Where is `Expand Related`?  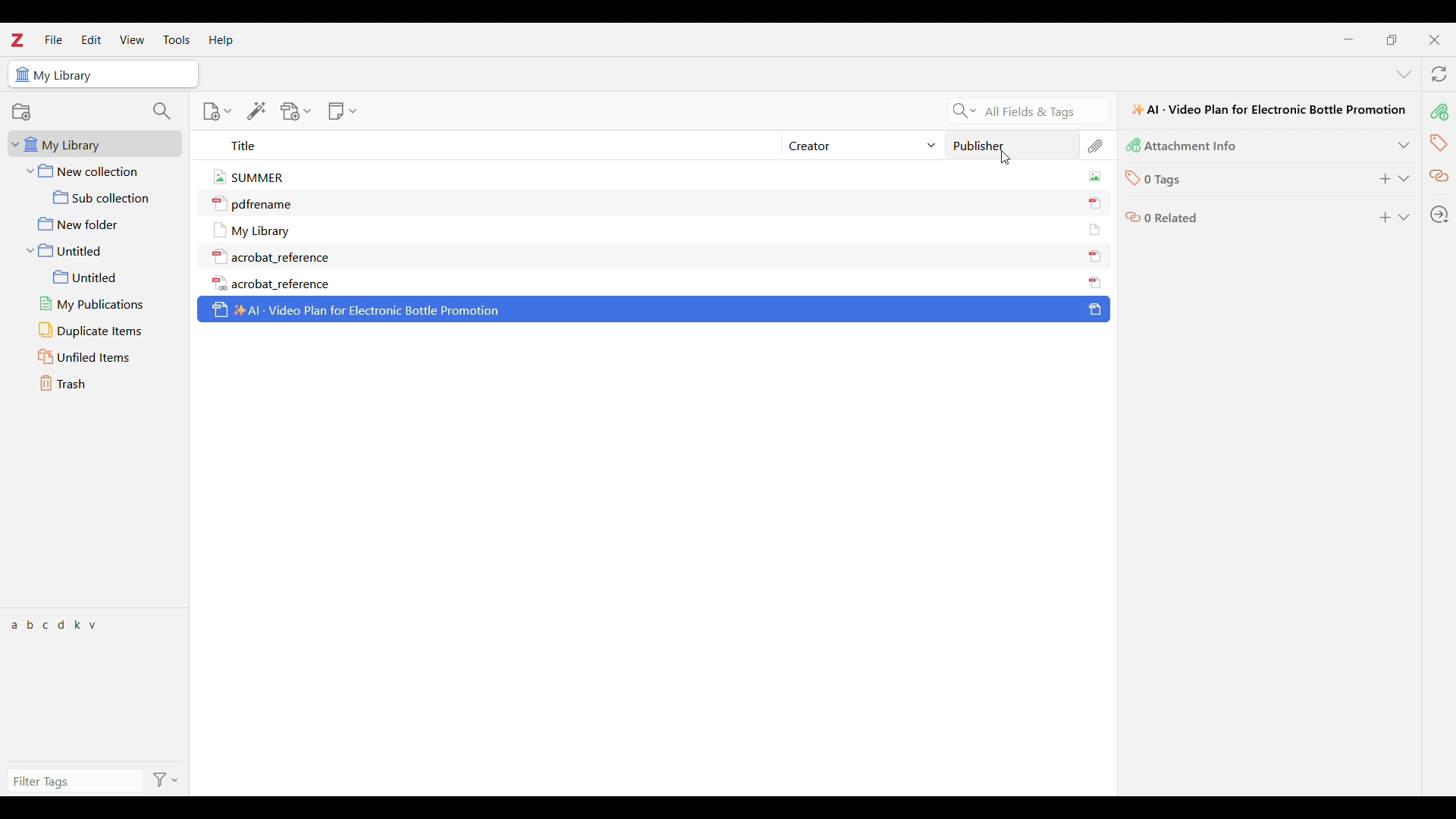
Expand Related is located at coordinates (1404, 217).